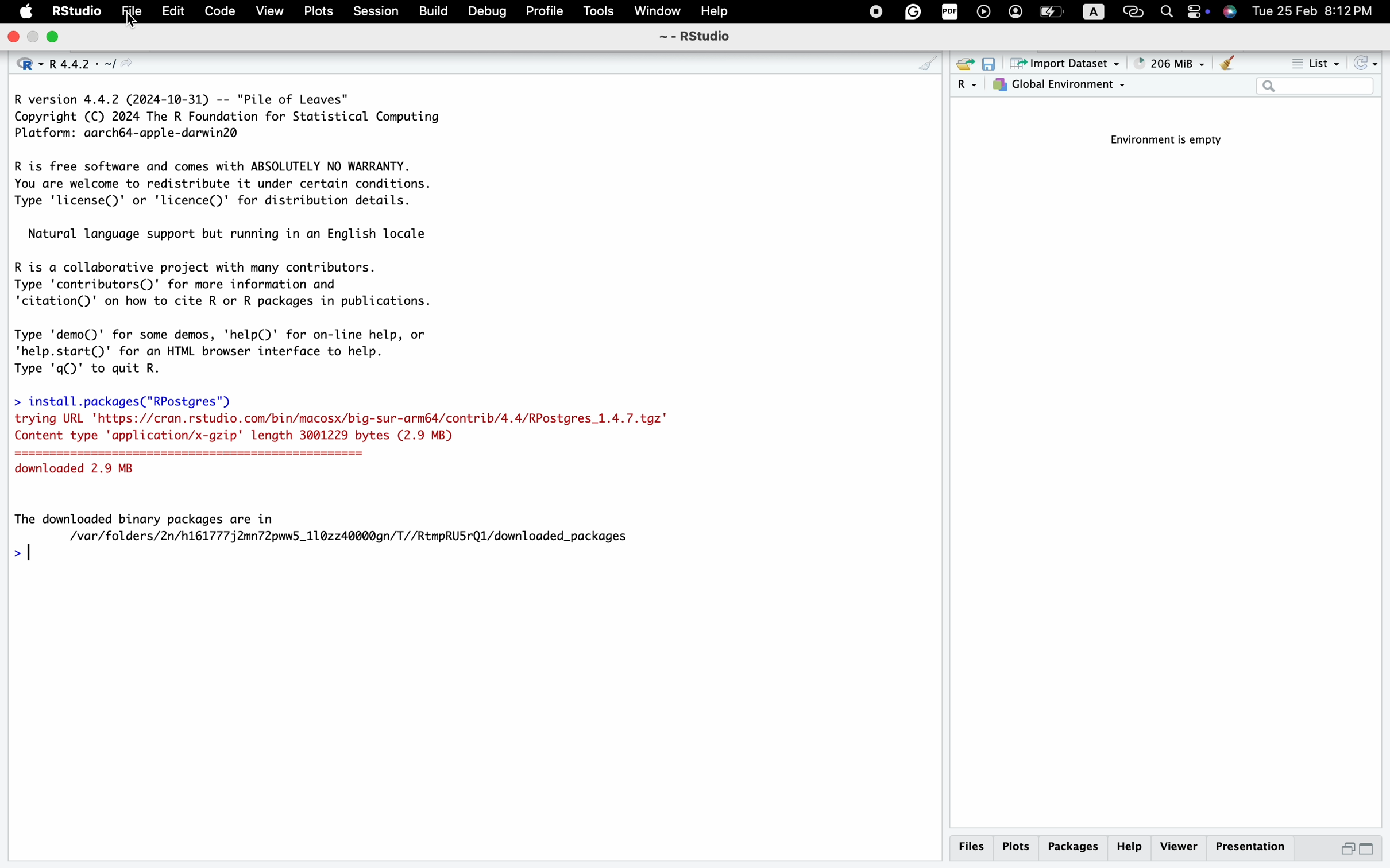  Describe the element at coordinates (133, 20) in the screenshot. I see `cursor` at that location.